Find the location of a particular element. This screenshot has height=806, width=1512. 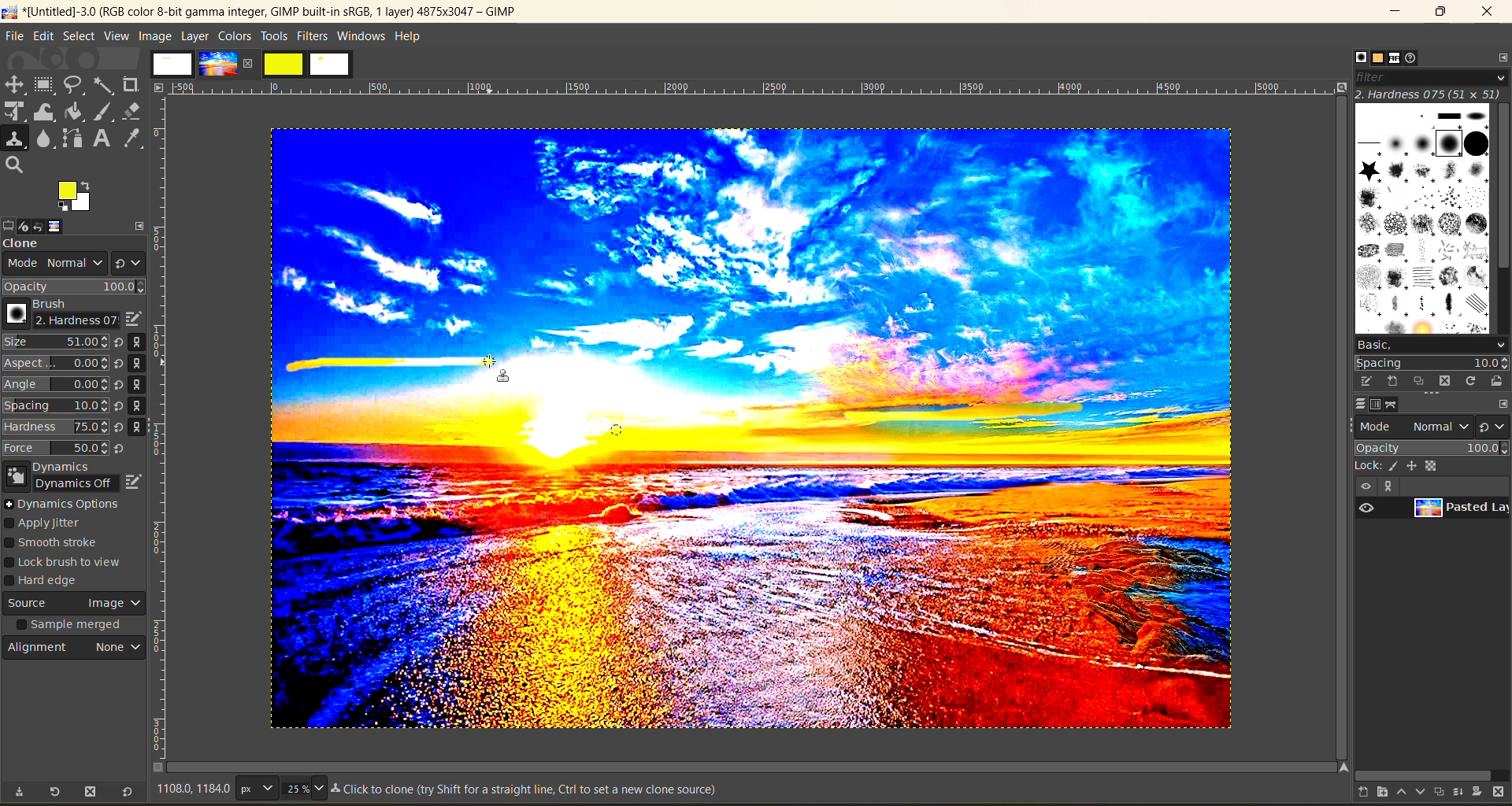

ruler is located at coordinates (165, 431).